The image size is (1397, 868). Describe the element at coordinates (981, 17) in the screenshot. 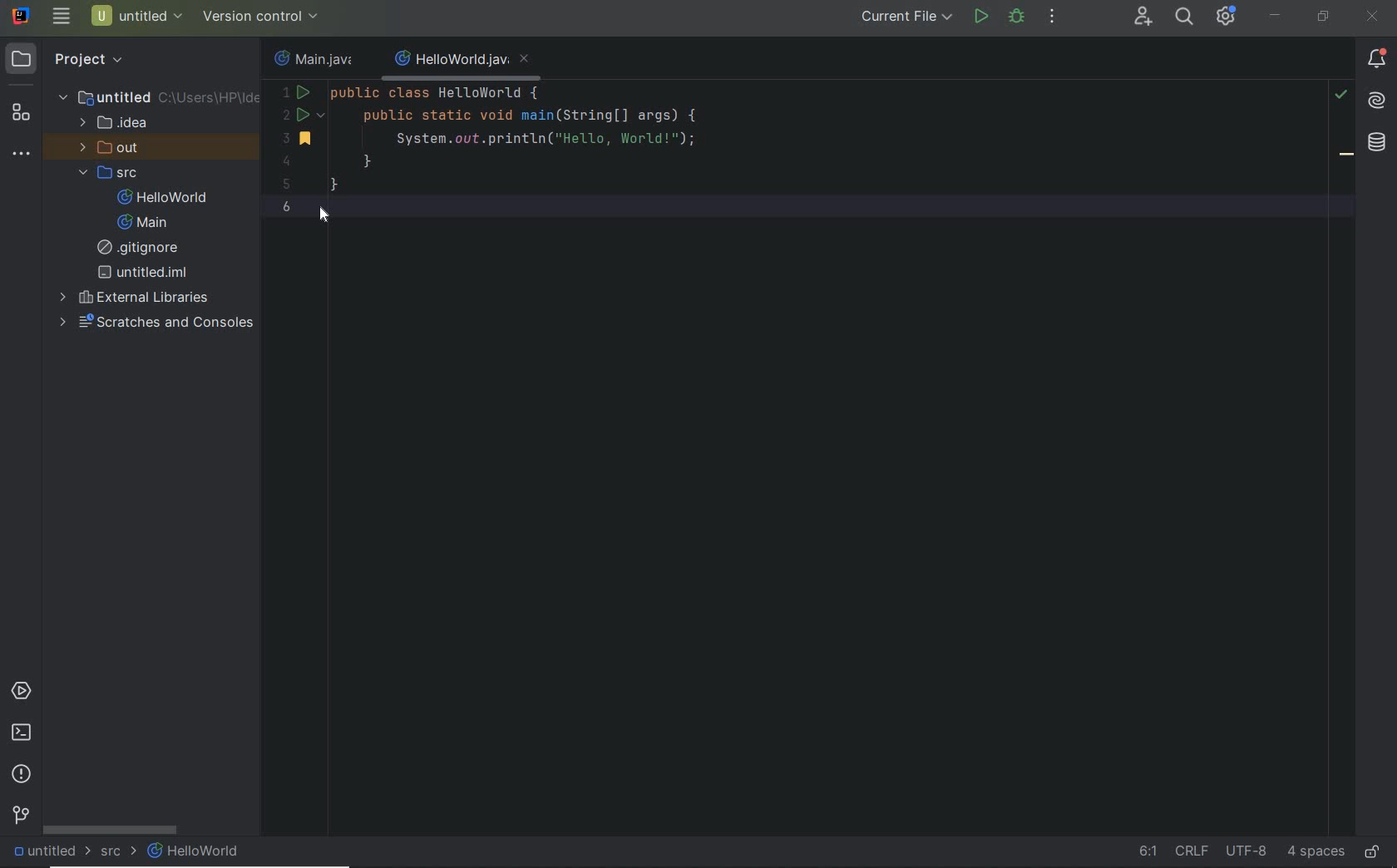

I see `run` at that location.